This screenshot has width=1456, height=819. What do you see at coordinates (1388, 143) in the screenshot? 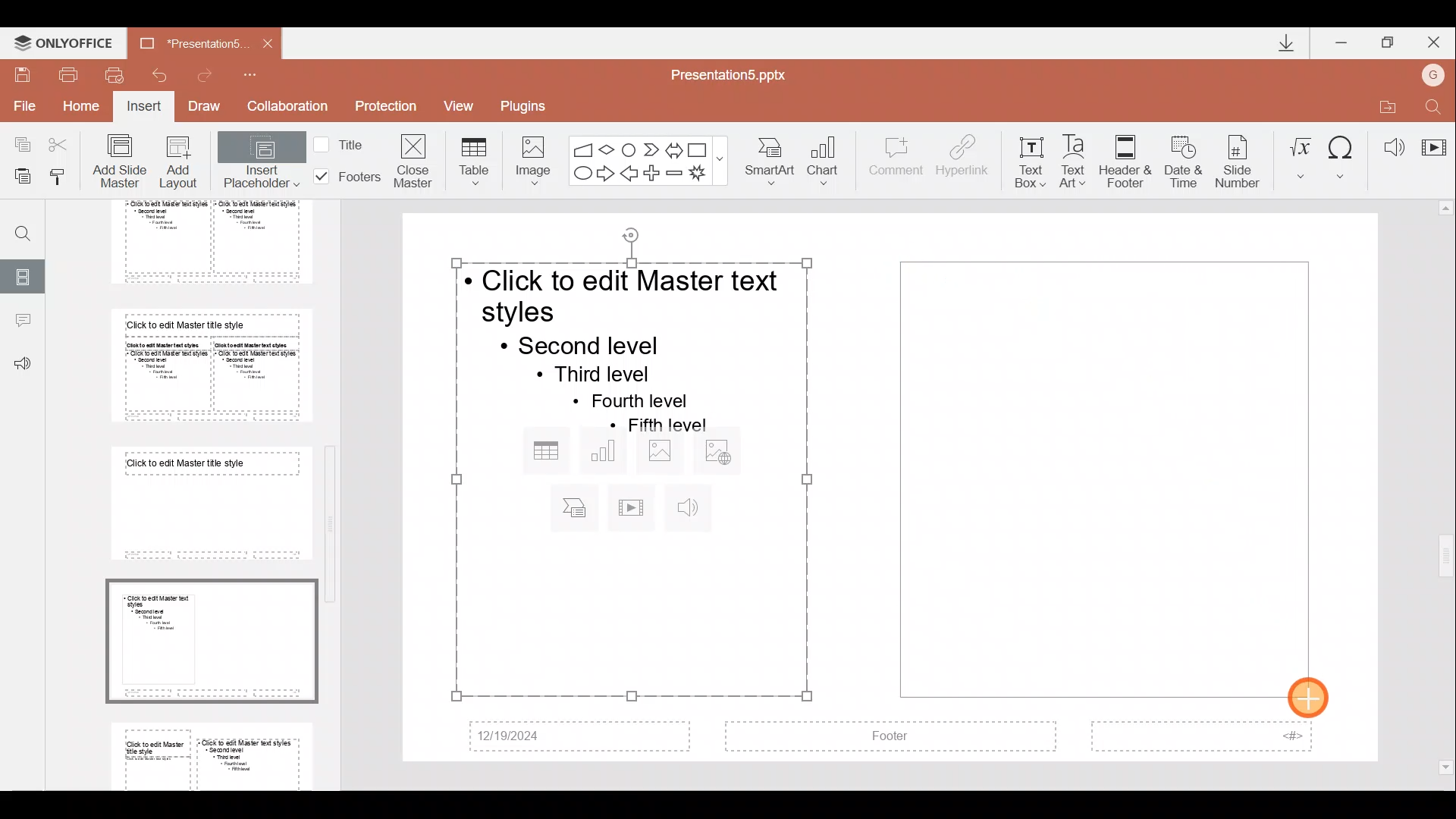
I see `Audio` at bounding box center [1388, 143].